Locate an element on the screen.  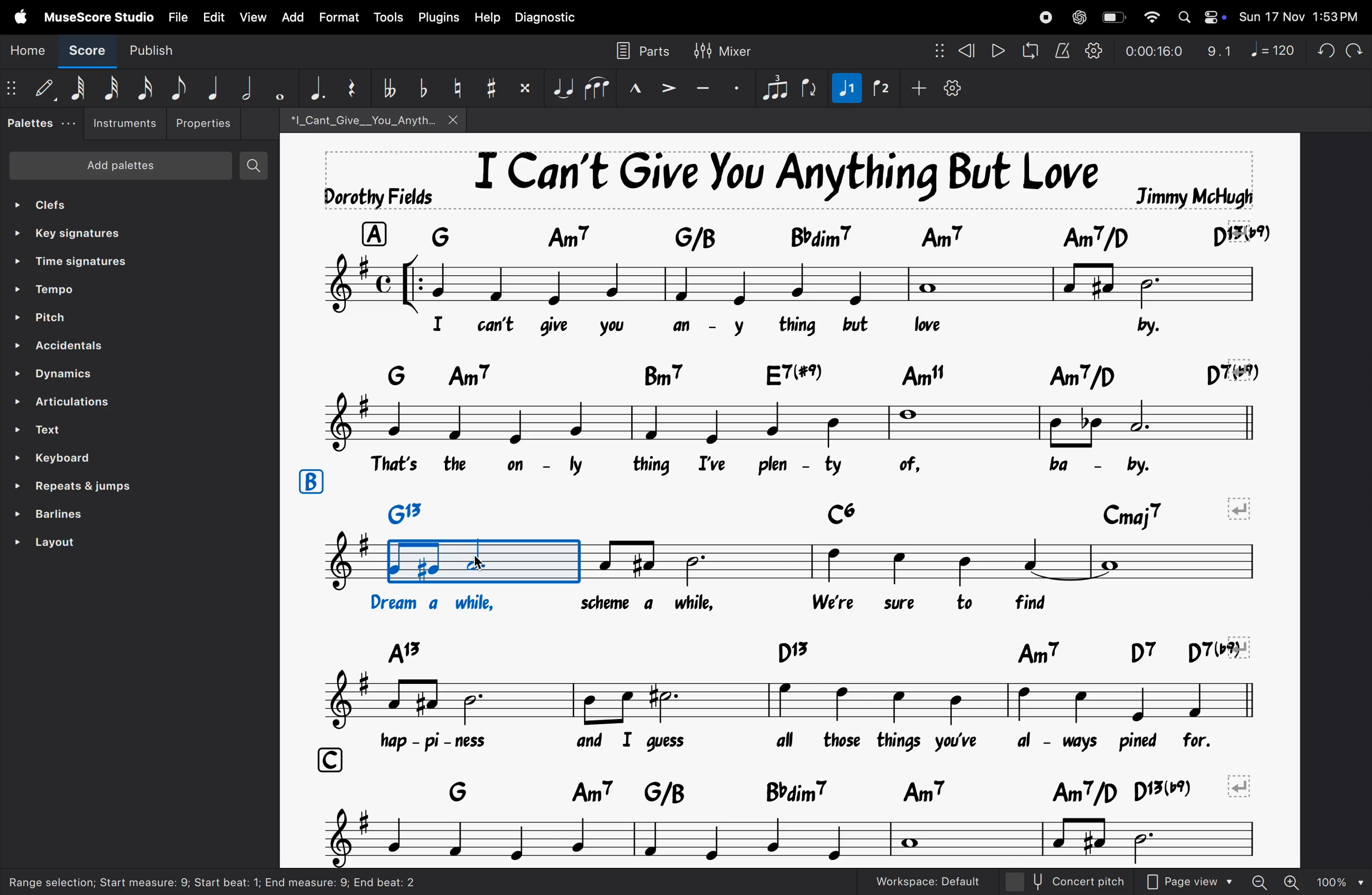
Text  is located at coordinates (52, 428).